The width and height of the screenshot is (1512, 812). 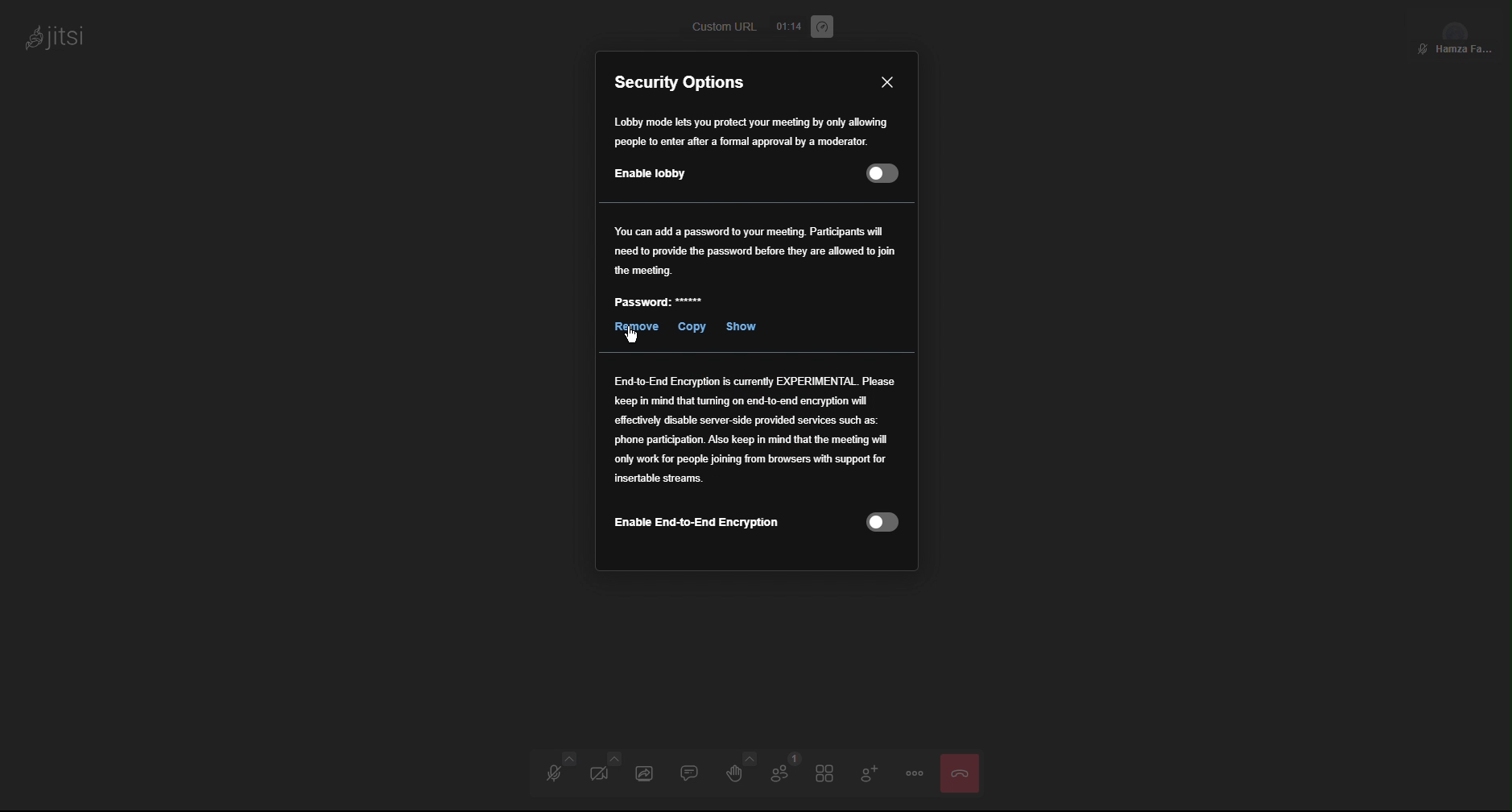 I want to click on Security Options, so click(x=684, y=82).